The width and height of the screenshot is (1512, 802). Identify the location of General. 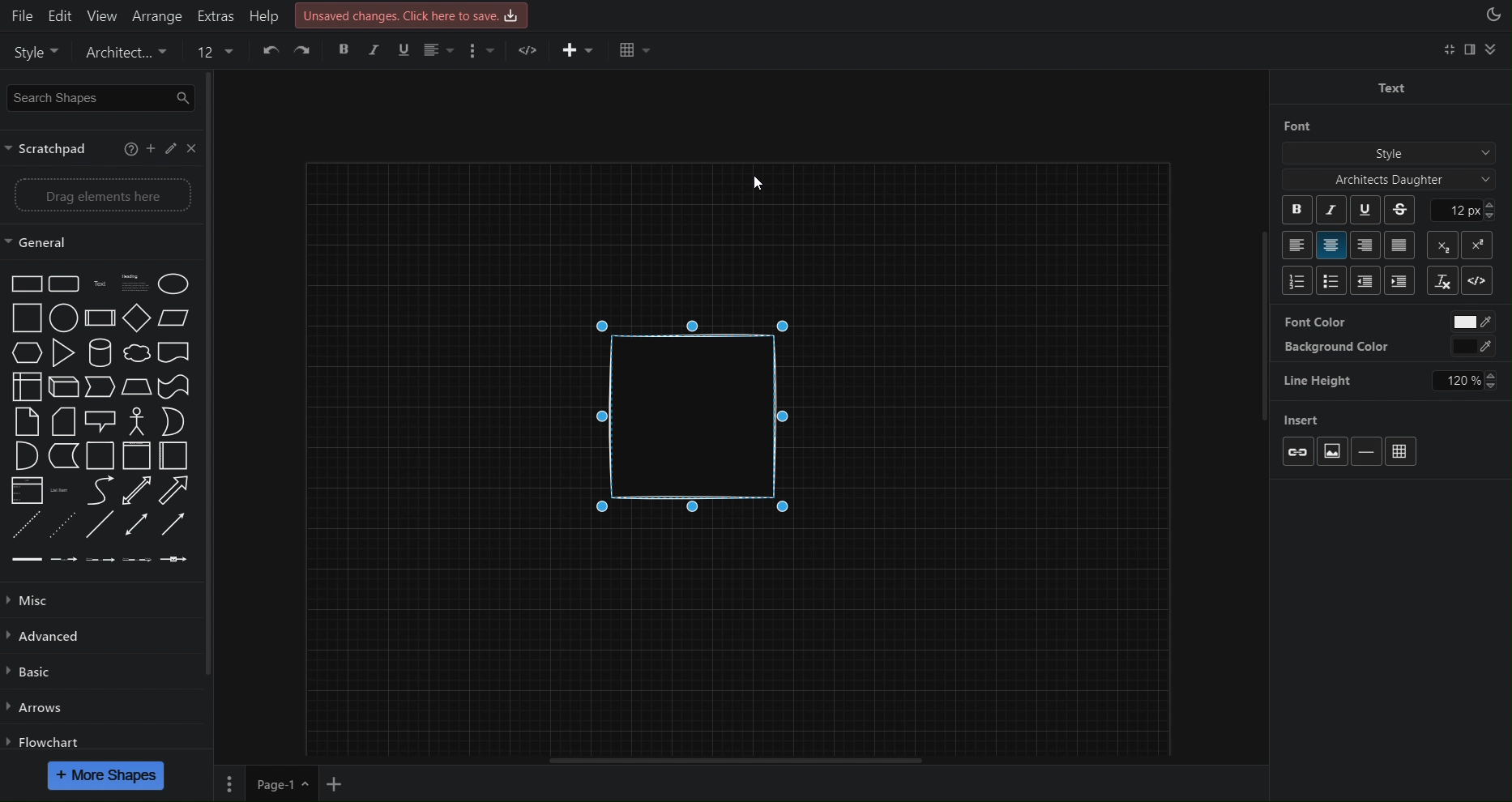
(53, 241).